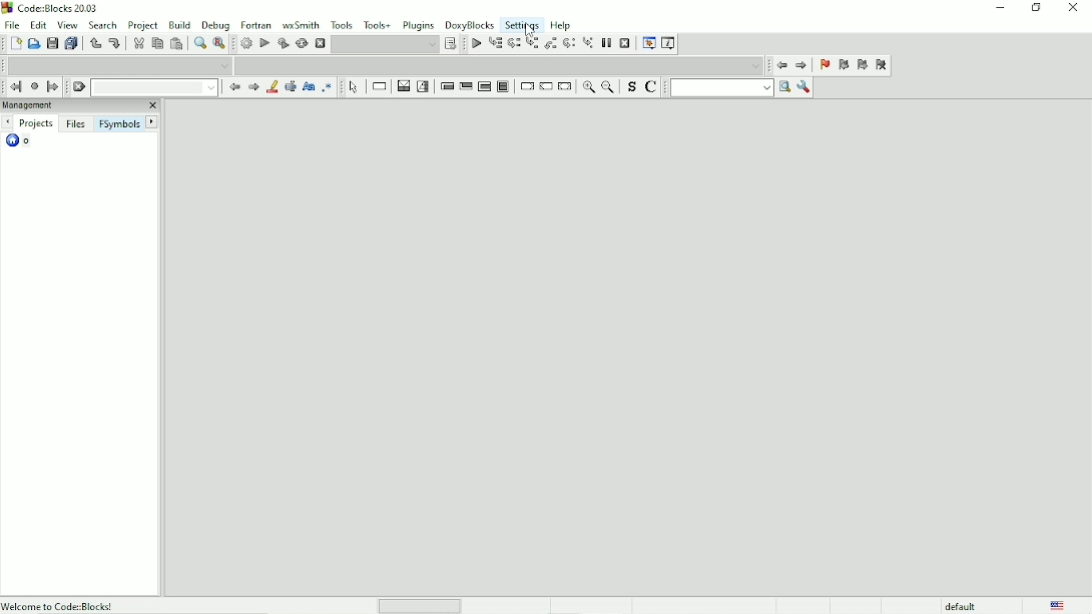 This screenshot has width=1092, height=614. Describe the element at coordinates (532, 43) in the screenshot. I see `Step into` at that location.